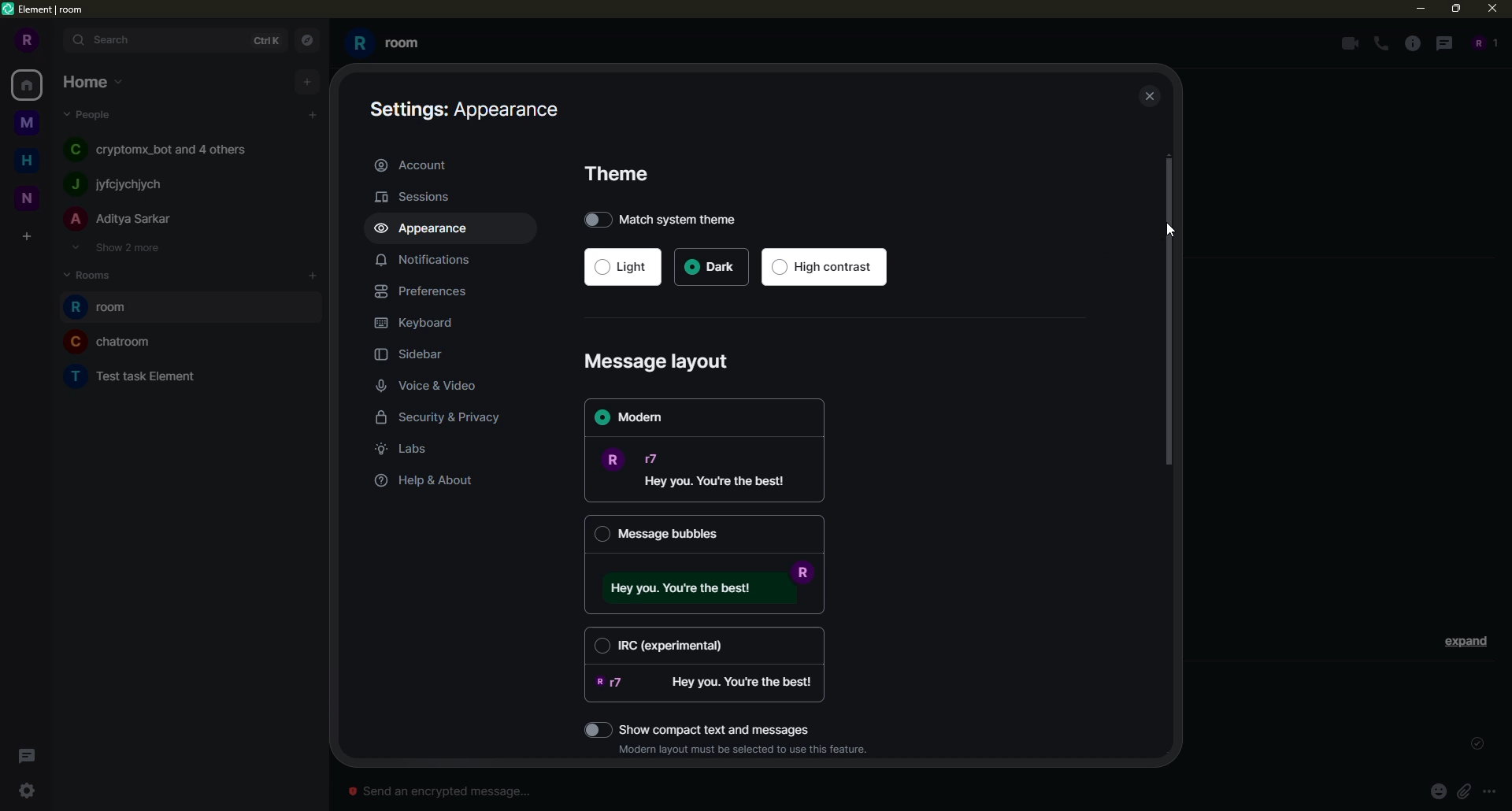  Describe the element at coordinates (621, 268) in the screenshot. I see `light` at that location.